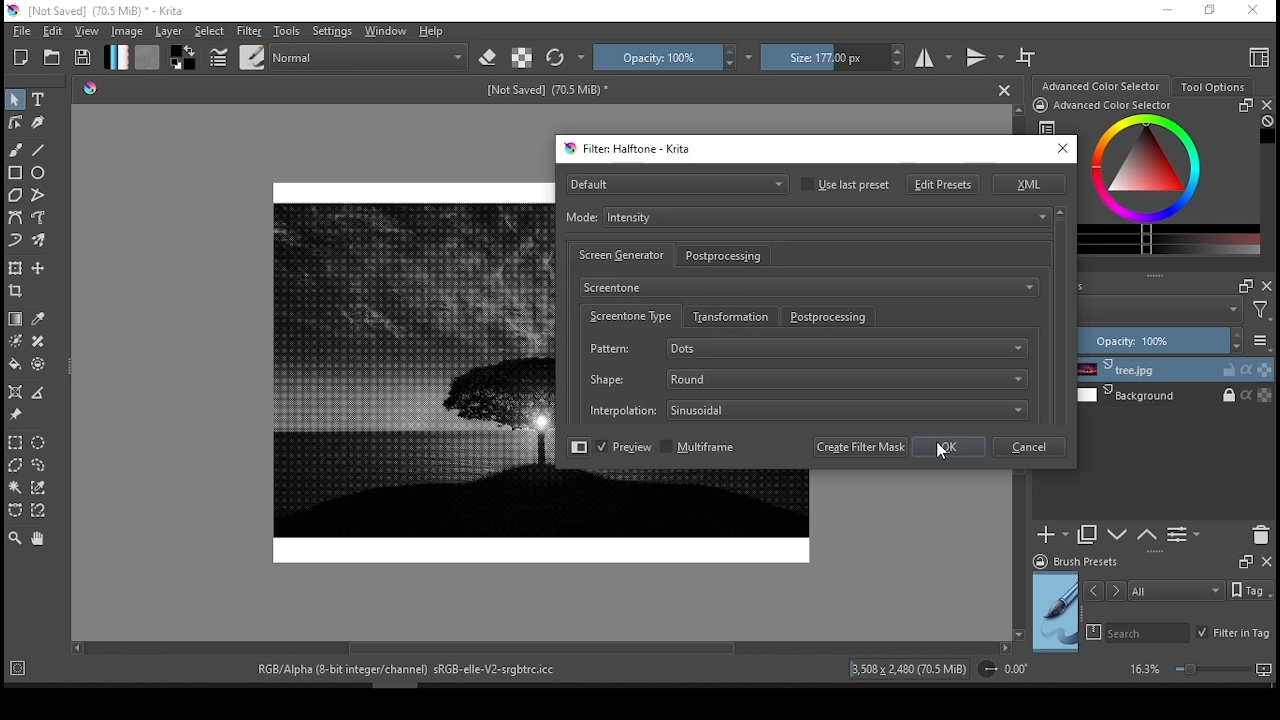 This screenshot has width=1280, height=720. I want to click on restore, so click(1208, 11).